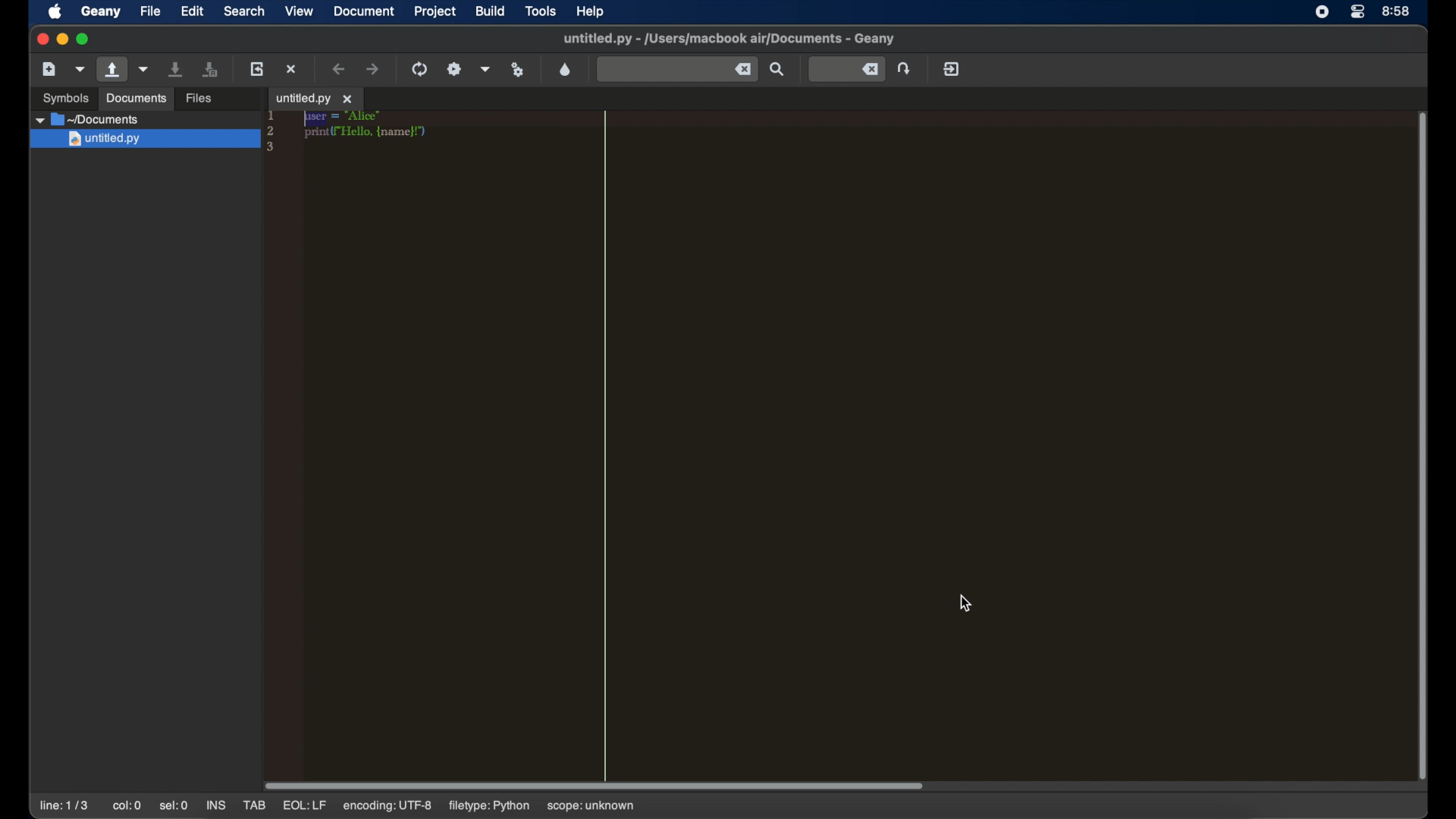 The height and width of the screenshot is (819, 1456). What do you see at coordinates (300, 11) in the screenshot?
I see `view` at bounding box center [300, 11].